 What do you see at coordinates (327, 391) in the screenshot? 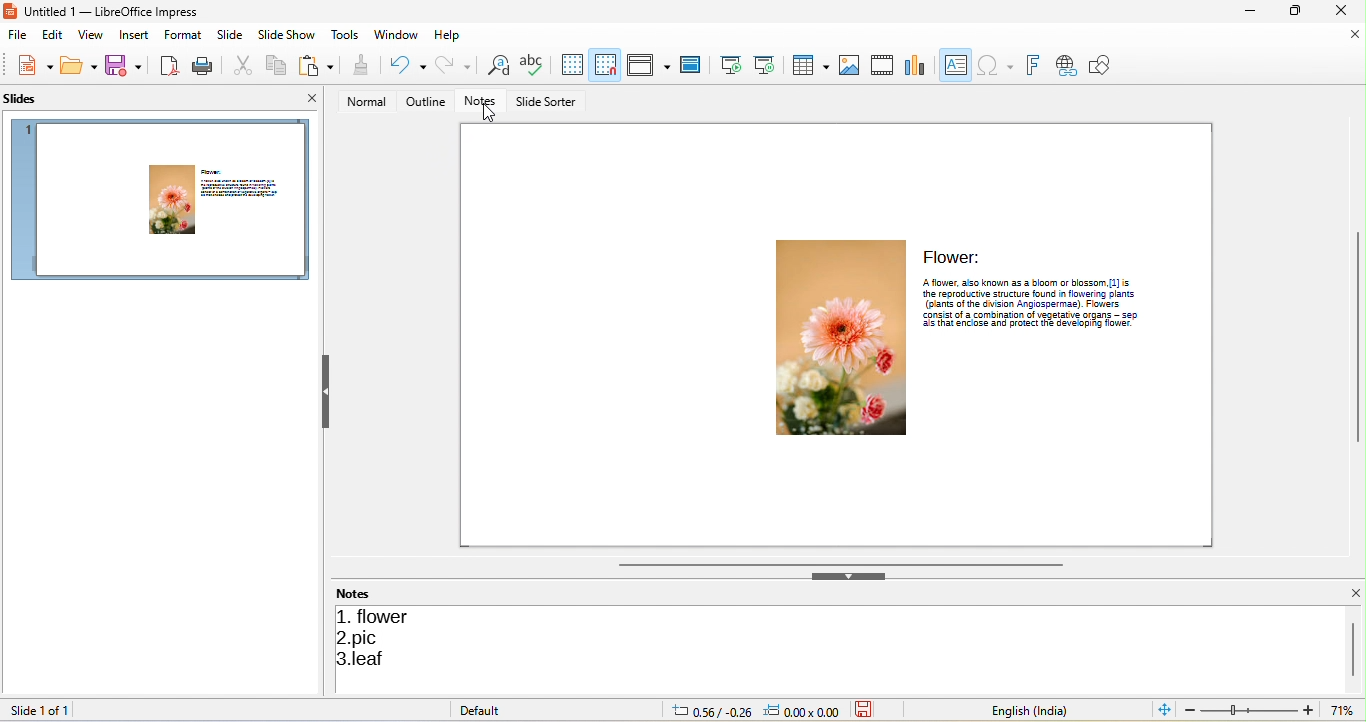
I see `hide left side bar` at bounding box center [327, 391].